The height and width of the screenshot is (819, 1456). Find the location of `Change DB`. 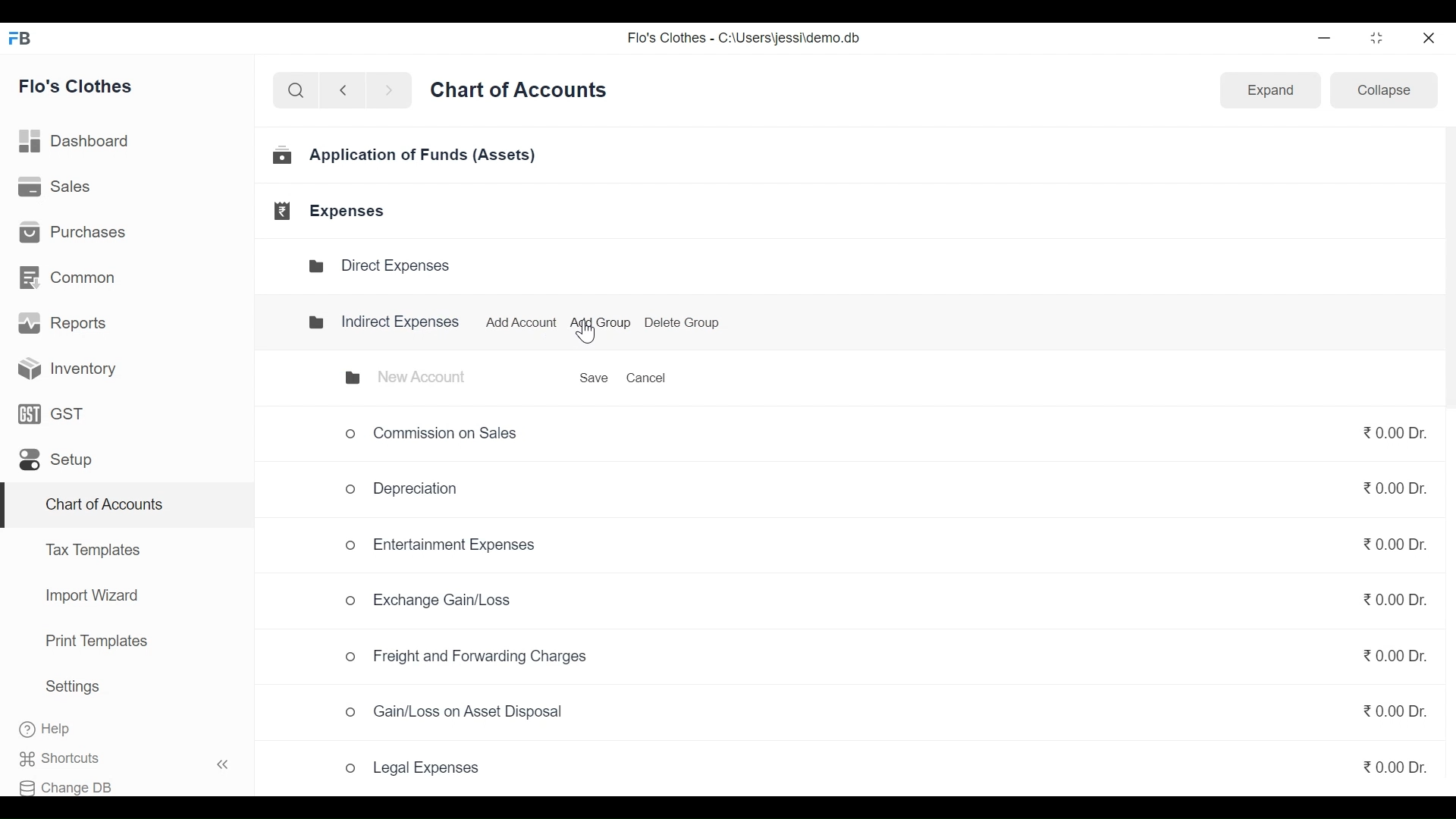

Change DB is located at coordinates (74, 784).